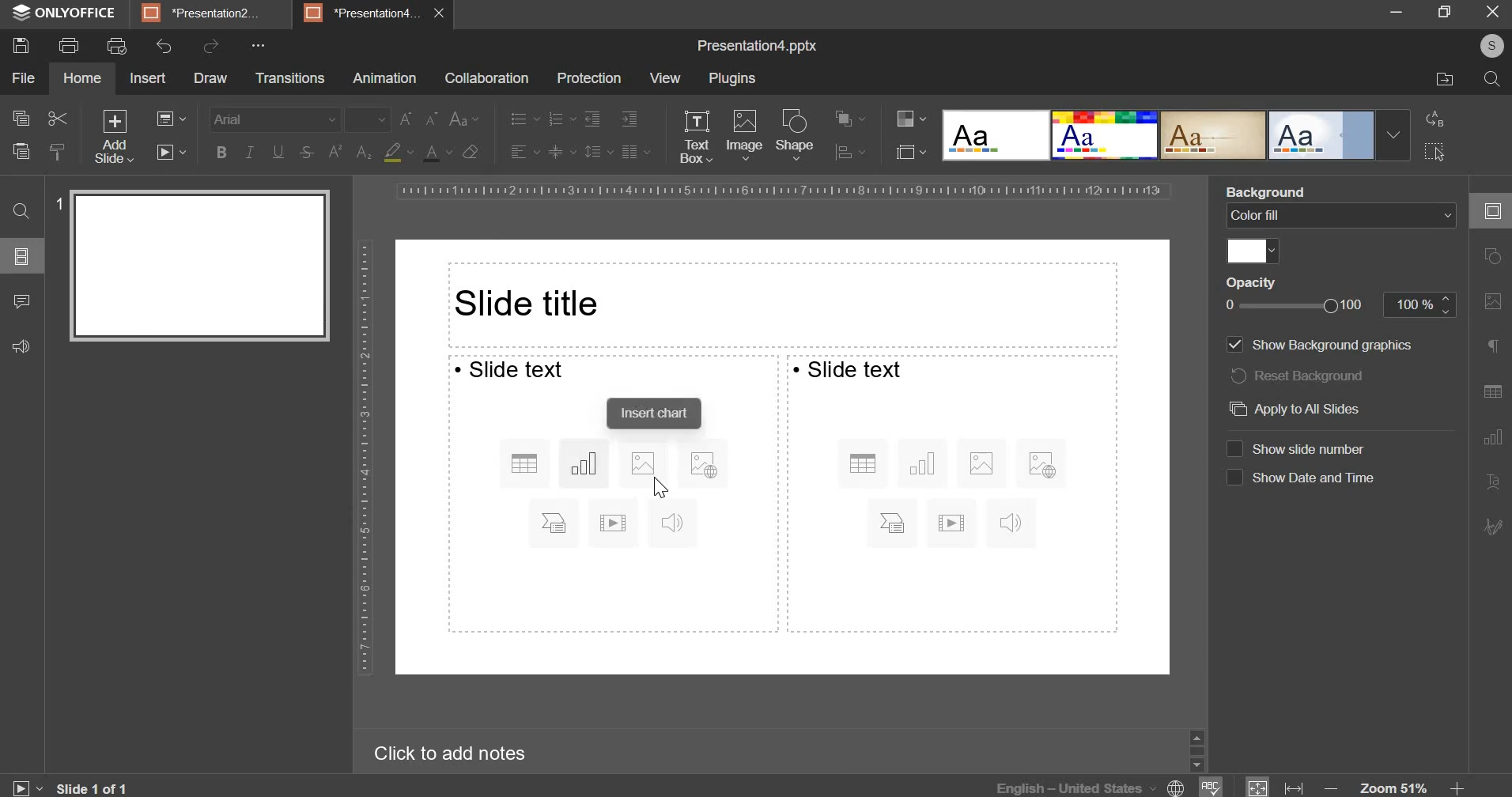 This screenshot has width=1512, height=797. Describe the element at coordinates (590, 78) in the screenshot. I see `protection` at that location.